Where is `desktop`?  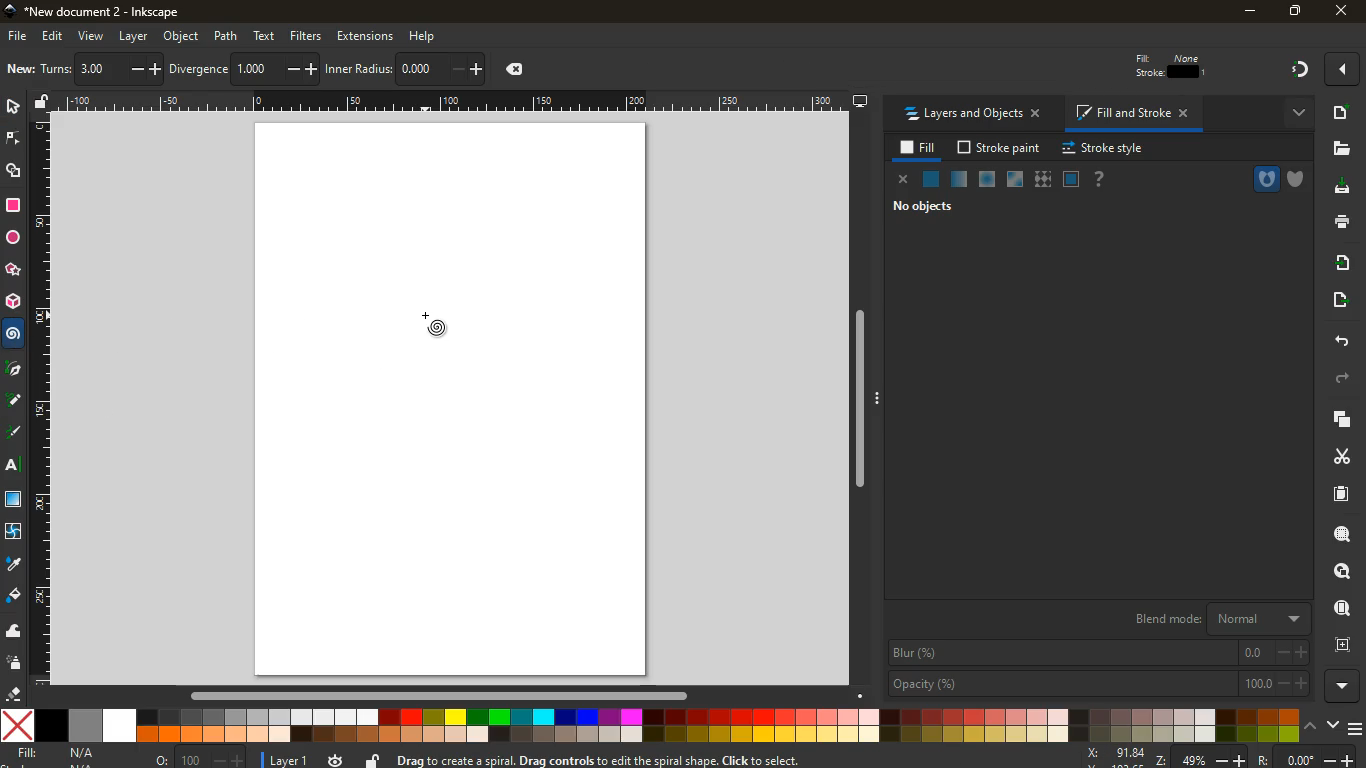 desktop is located at coordinates (860, 103).